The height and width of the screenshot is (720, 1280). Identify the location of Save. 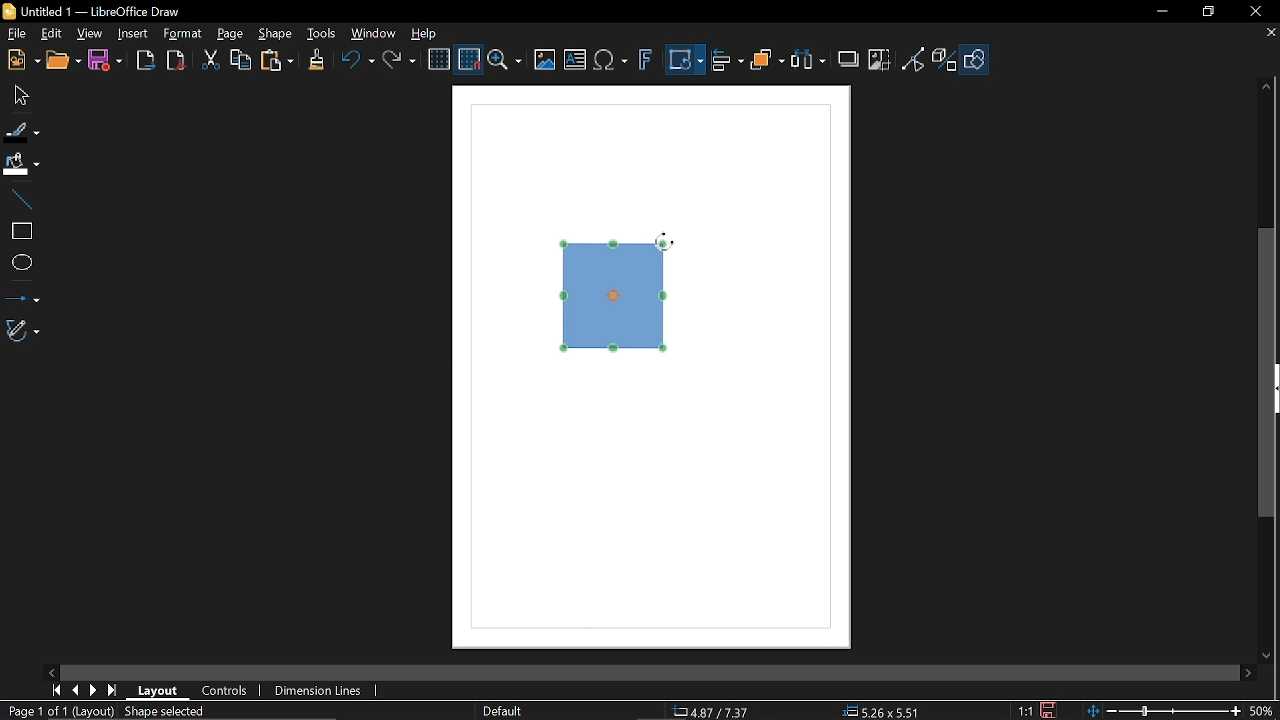
(1046, 710).